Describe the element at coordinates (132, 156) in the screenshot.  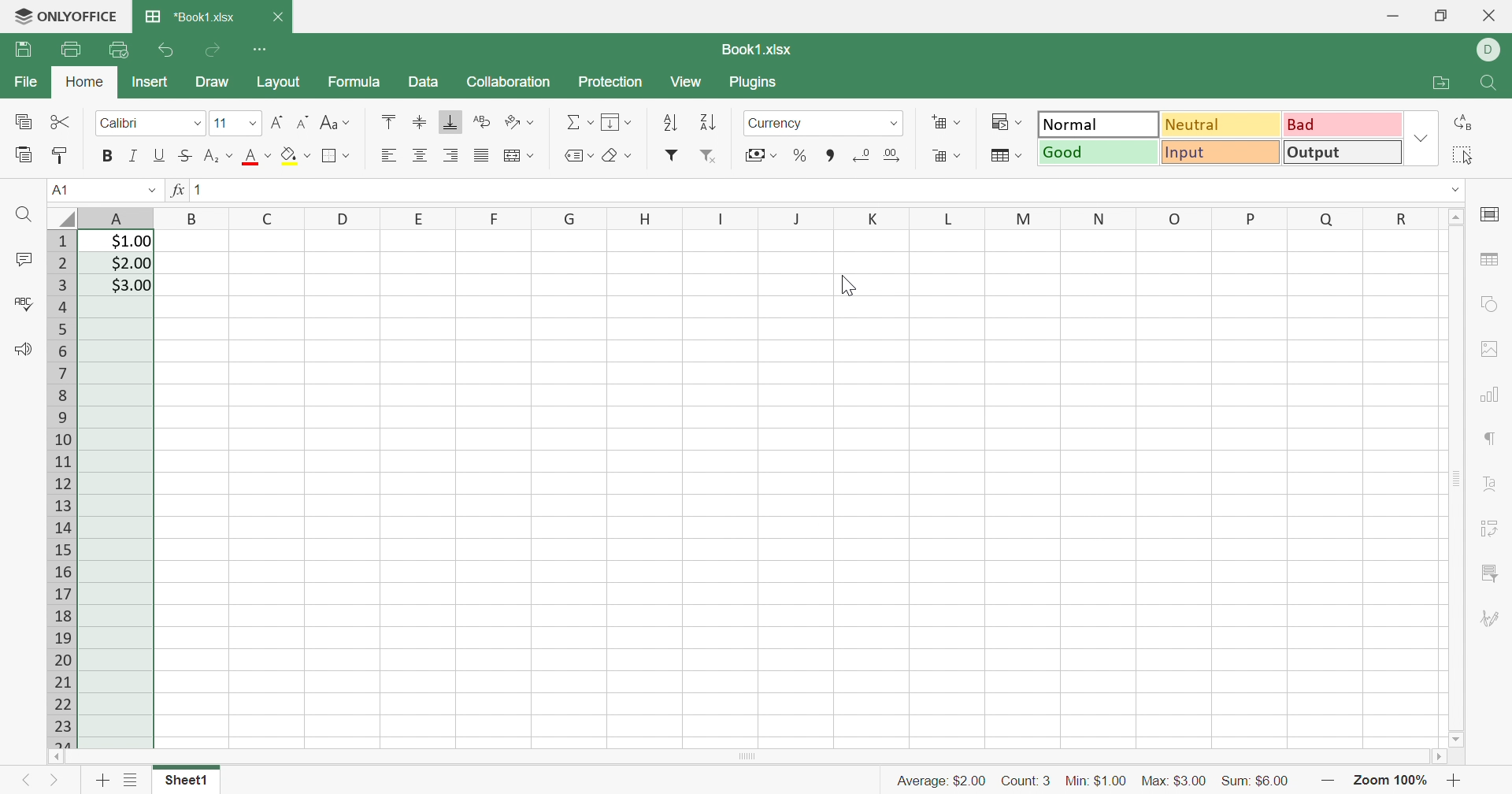
I see `Italic` at that location.